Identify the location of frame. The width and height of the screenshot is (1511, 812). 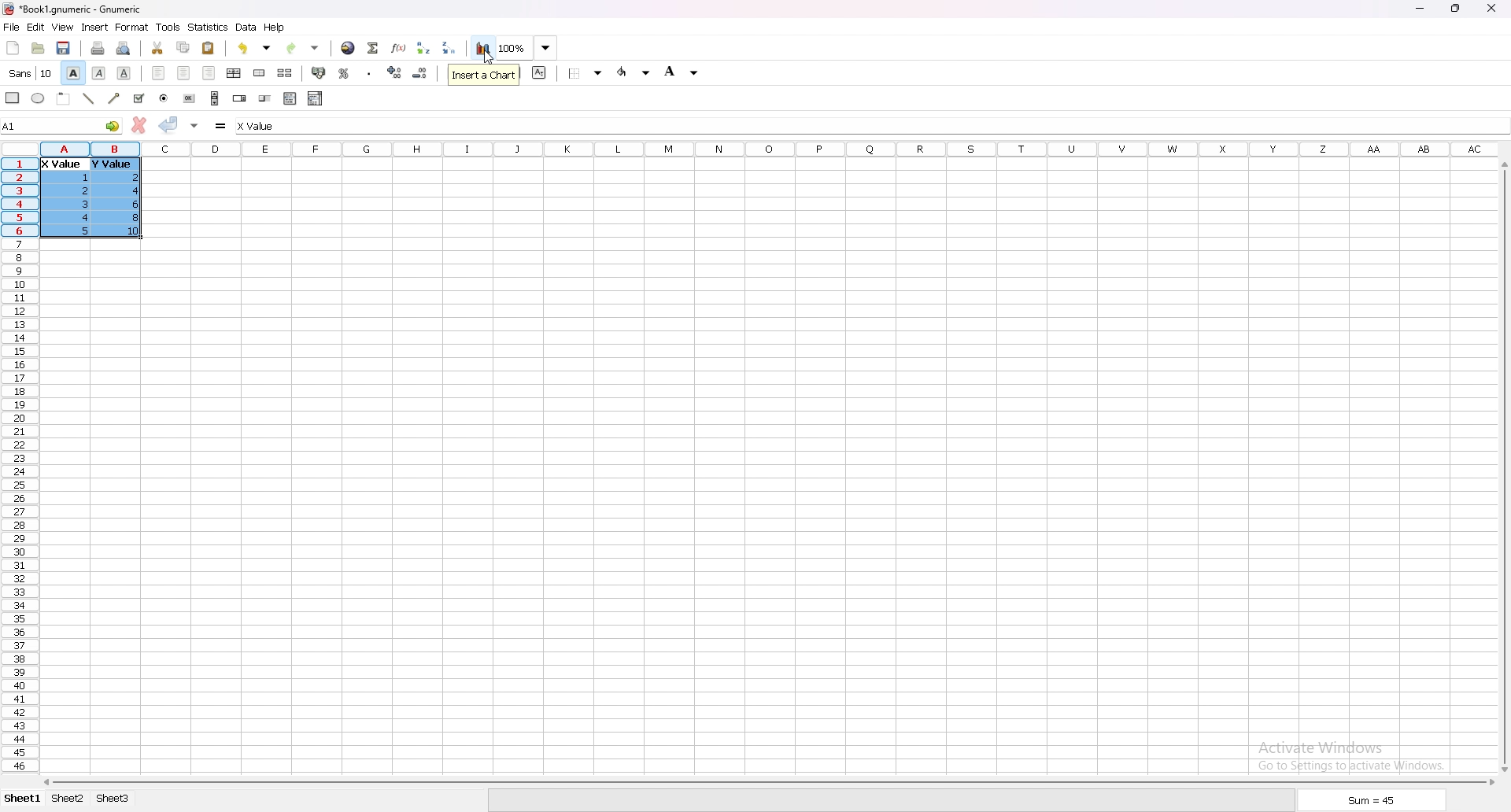
(64, 98).